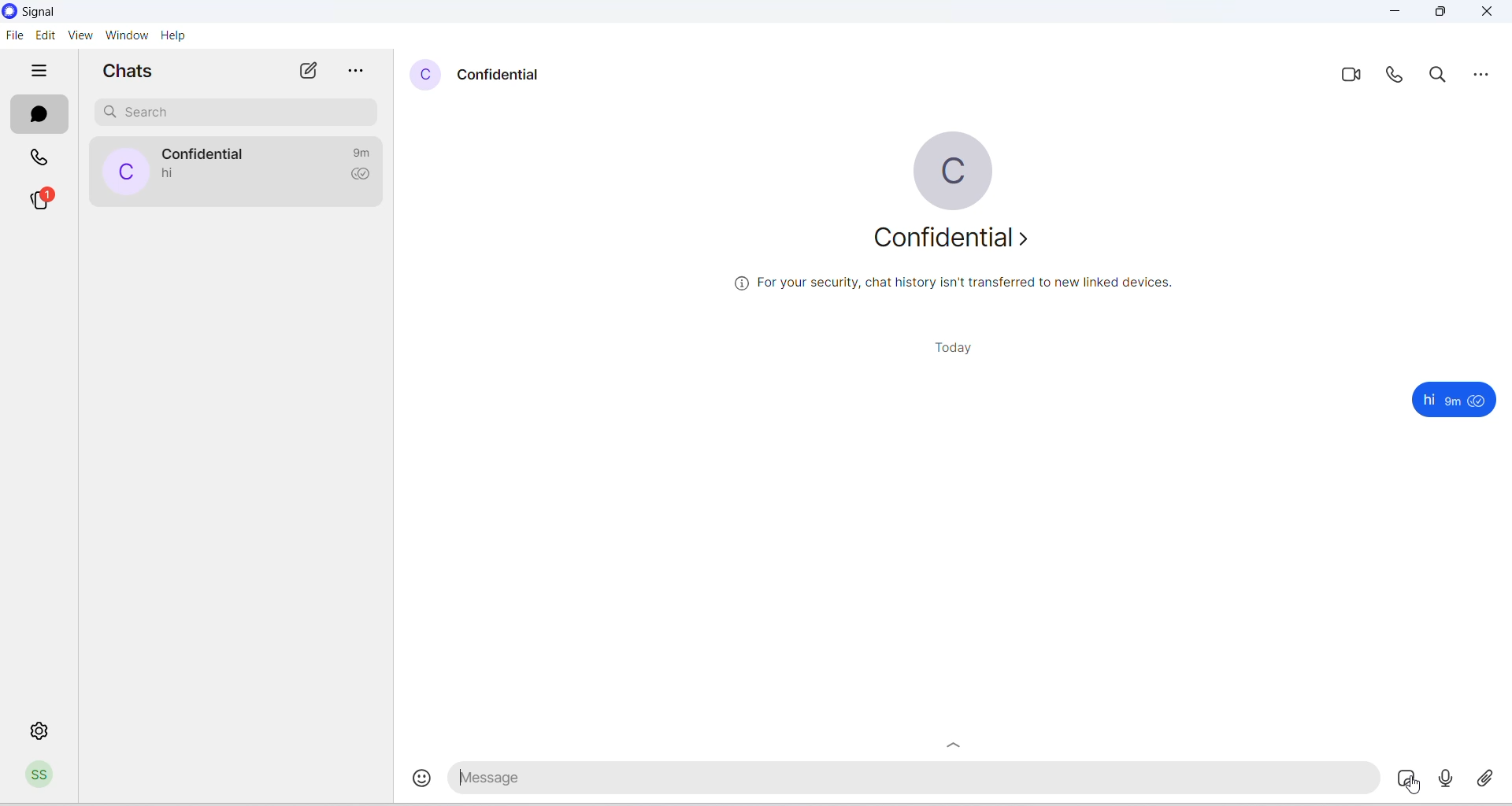  What do you see at coordinates (235, 111) in the screenshot?
I see `search chat` at bounding box center [235, 111].